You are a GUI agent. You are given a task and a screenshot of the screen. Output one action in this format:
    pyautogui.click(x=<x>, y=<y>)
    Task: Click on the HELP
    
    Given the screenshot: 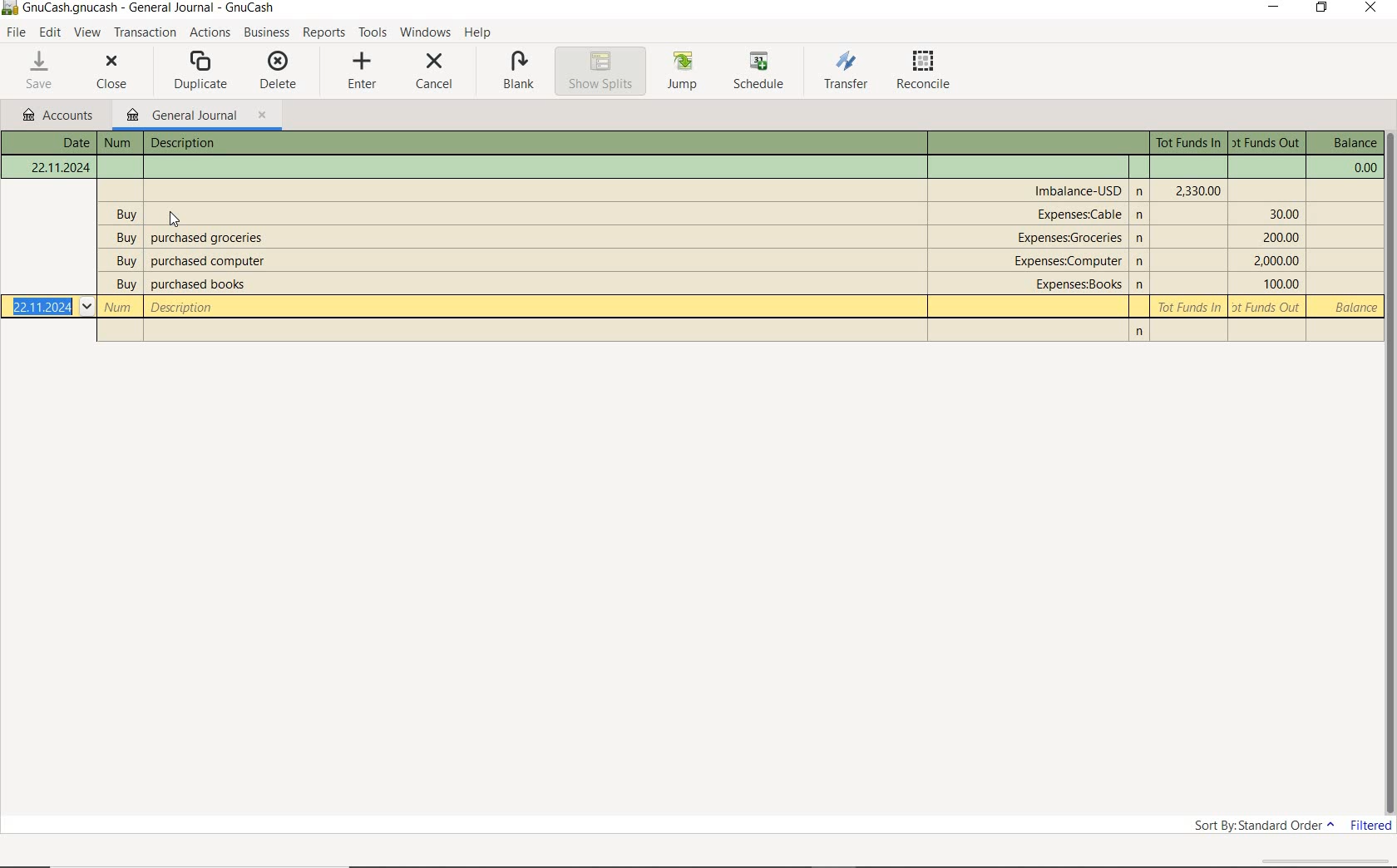 What is the action you would take?
    pyautogui.click(x=479, y=33)
    